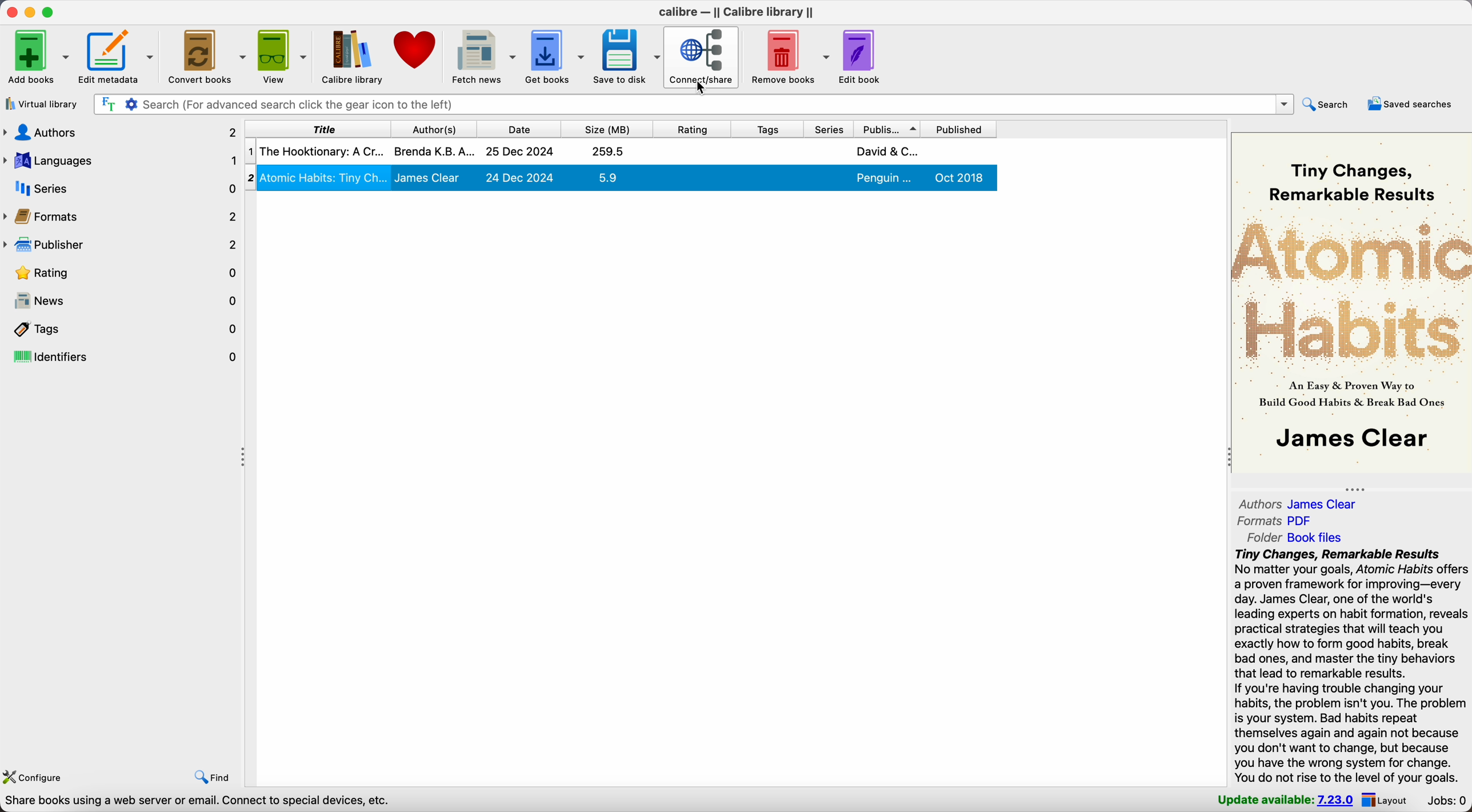 The height and width of the screenshot is (812, 1472). What do you see at coordinates (517, 127) in the screenshot?
I see `date` at bounding box center [517, 127].